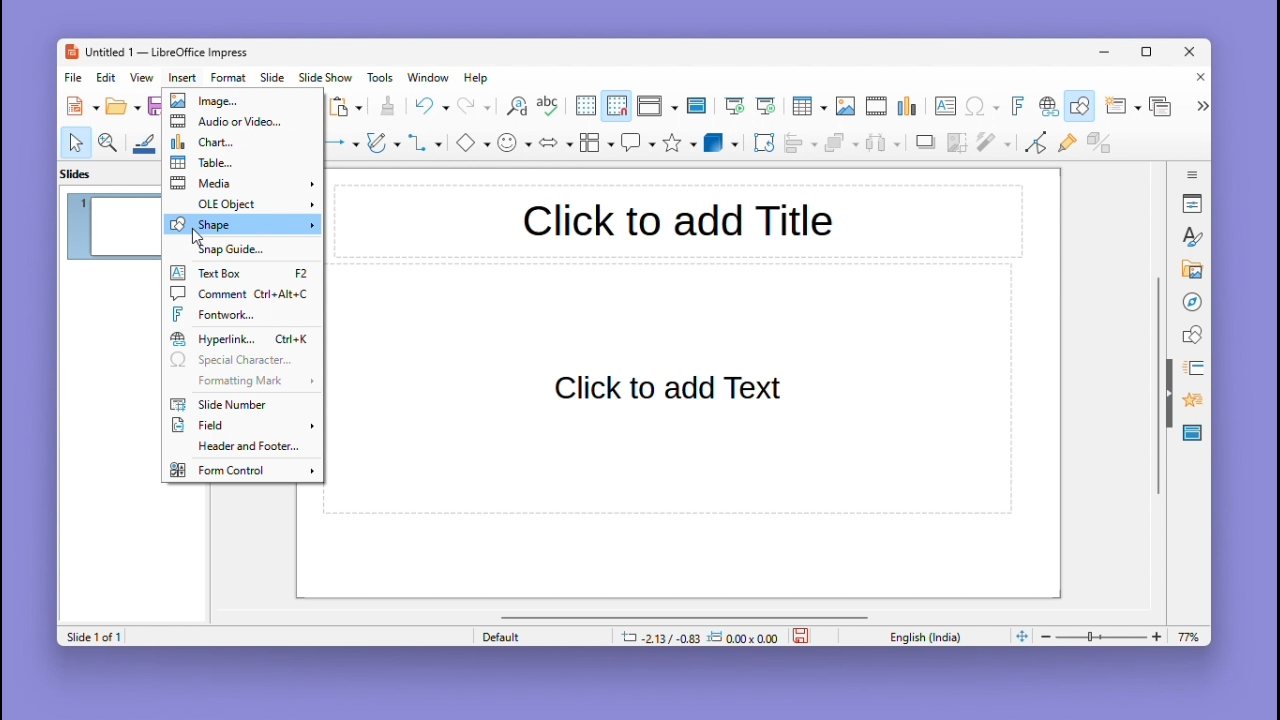  What do you see at coordinates (239, 380) in the screenshot?
I see `Formatting` at bounding box center [239, 380].